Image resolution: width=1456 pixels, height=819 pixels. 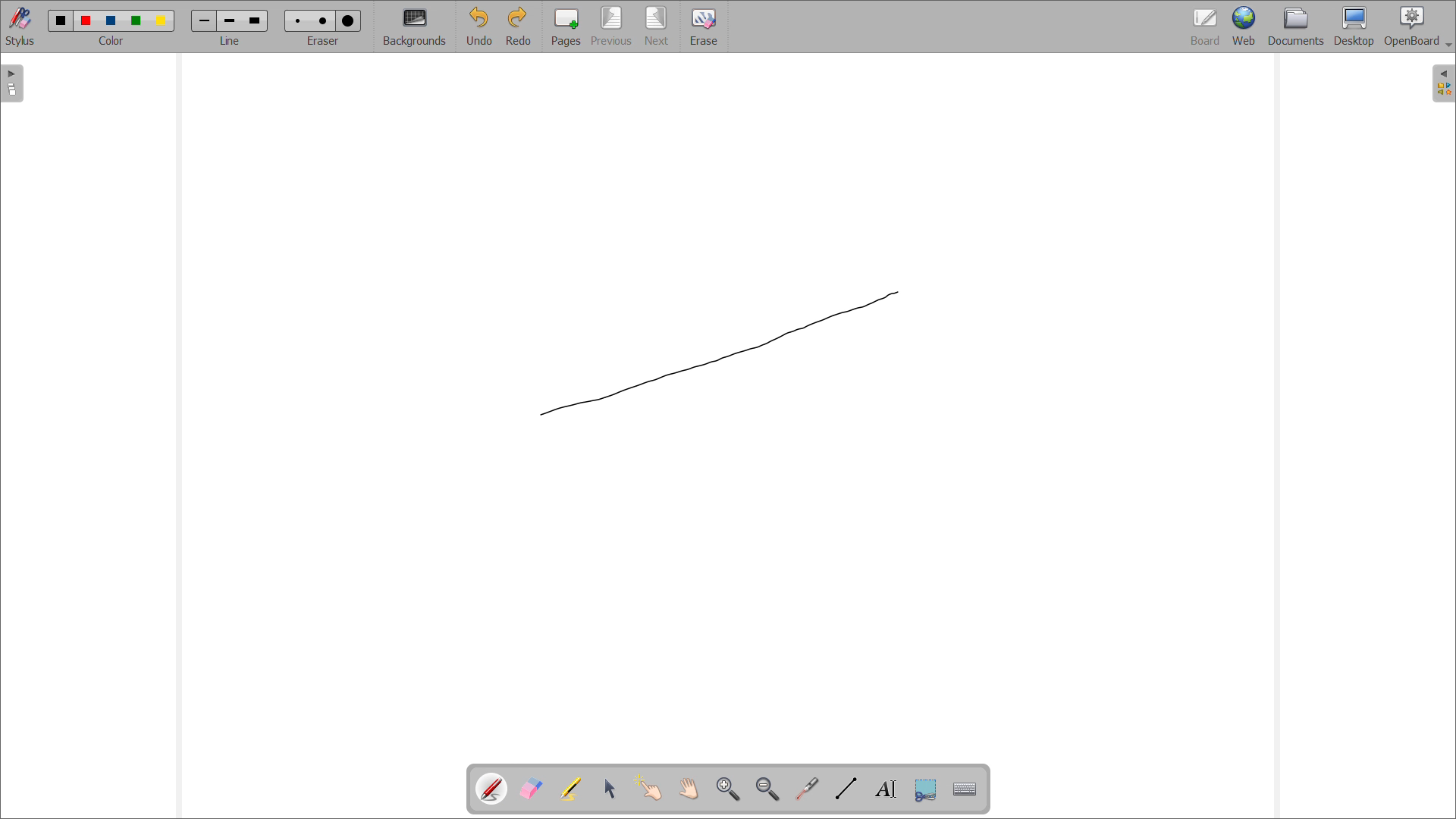 I want to click on color, so click(x=88, y=20).